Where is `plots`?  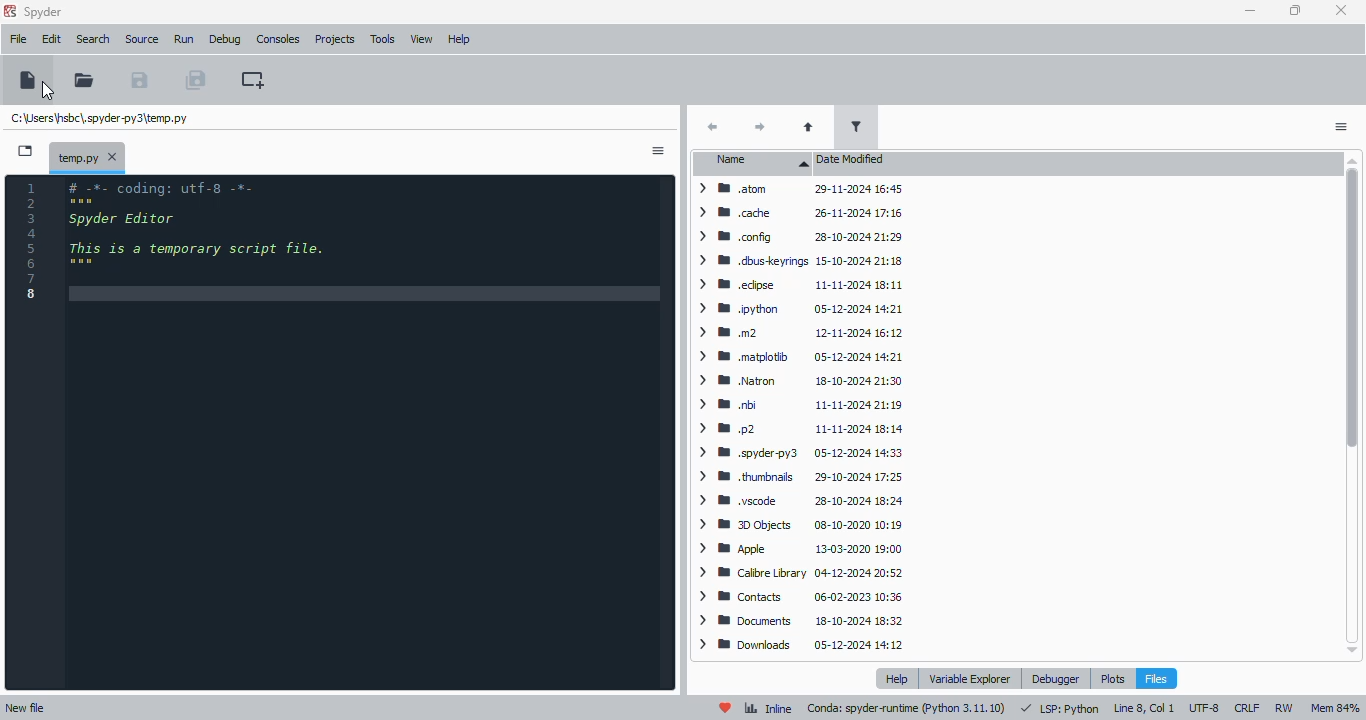 plots is located at coordinates (1112, 678).